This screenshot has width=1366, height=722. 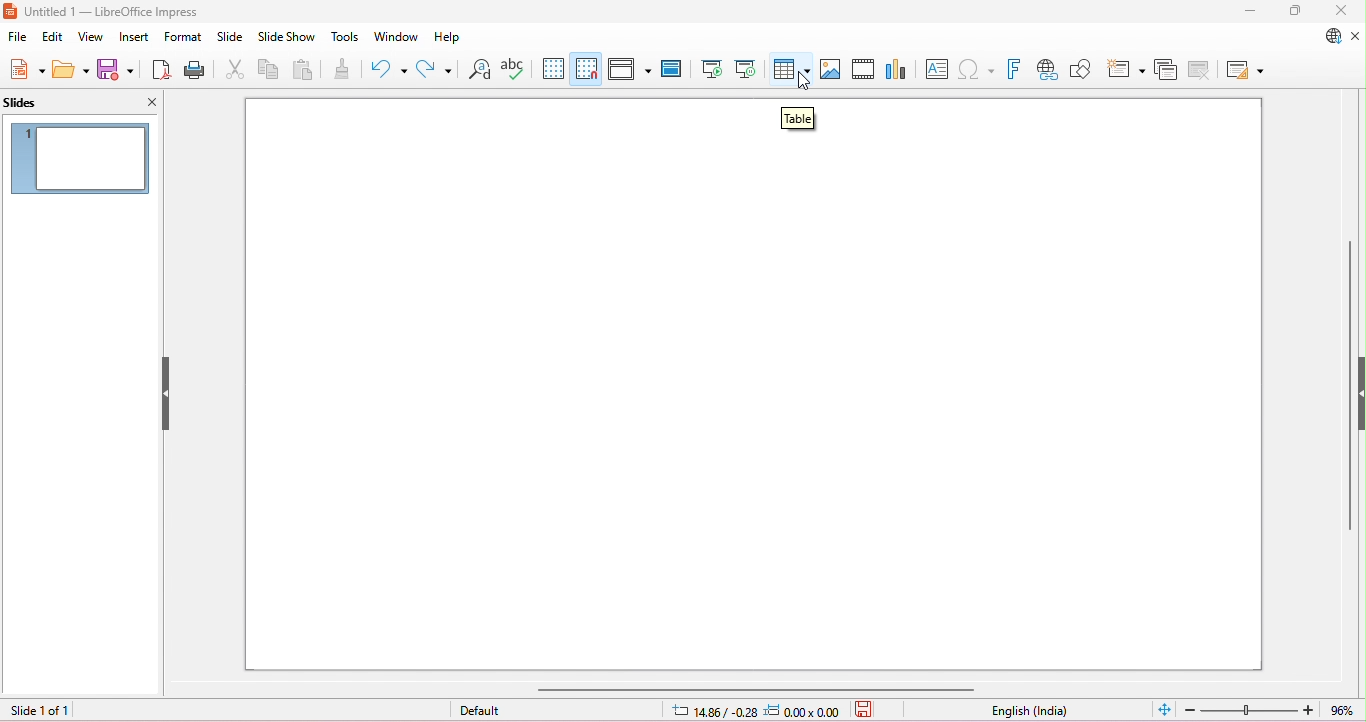 I want to click on object position, so click(x=804, y=710).